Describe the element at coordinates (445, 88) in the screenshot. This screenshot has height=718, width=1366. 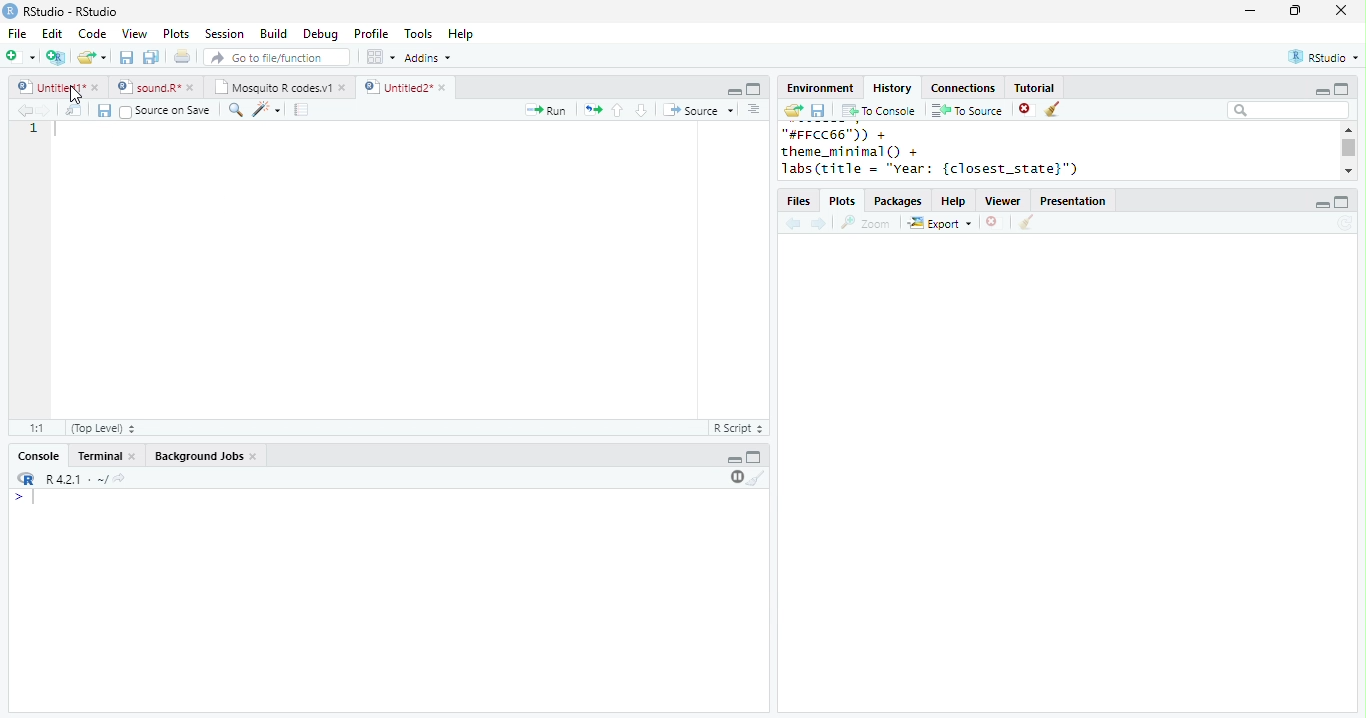
I see `close` at that location.